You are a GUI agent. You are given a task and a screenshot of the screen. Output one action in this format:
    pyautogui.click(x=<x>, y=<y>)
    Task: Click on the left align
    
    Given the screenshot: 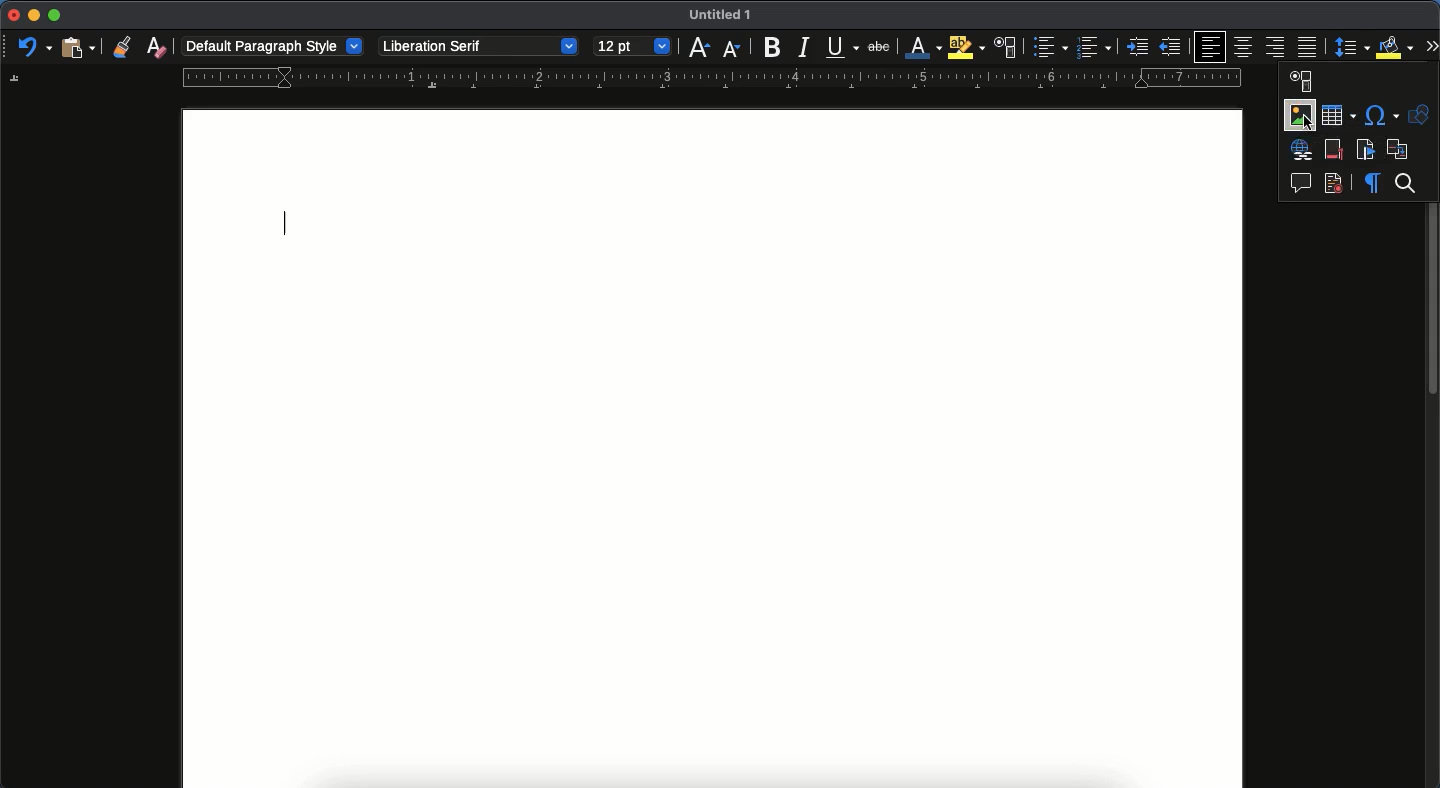 What is the action you would take?
    pyautogui.click(x=1212, y=46)
    